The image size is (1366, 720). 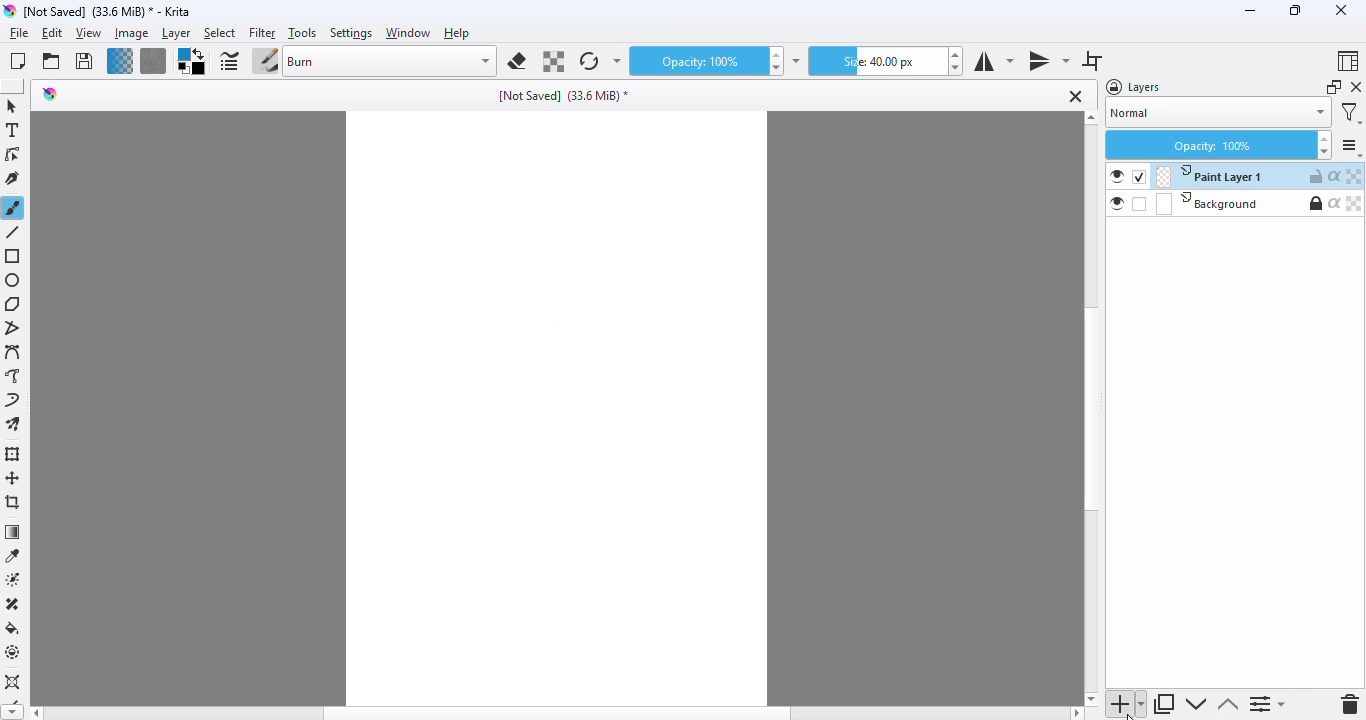 What do you see at coordinates (13, 425) in the screenshot?
I see `multibrush tool` at bounding box center [13, 425].